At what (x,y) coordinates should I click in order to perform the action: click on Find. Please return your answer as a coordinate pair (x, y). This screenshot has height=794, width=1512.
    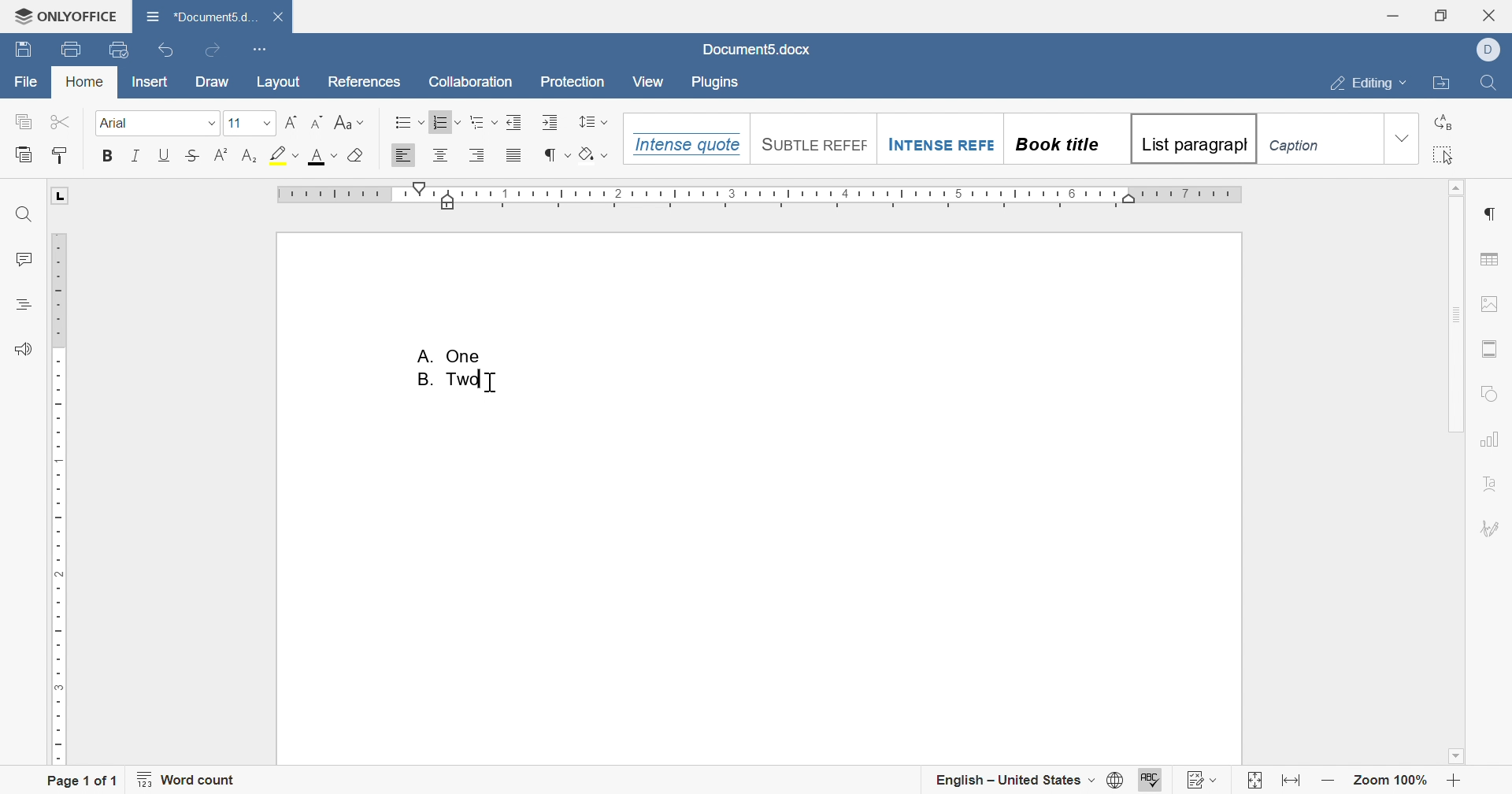
    Looking at the image, I should click on (22, 214).